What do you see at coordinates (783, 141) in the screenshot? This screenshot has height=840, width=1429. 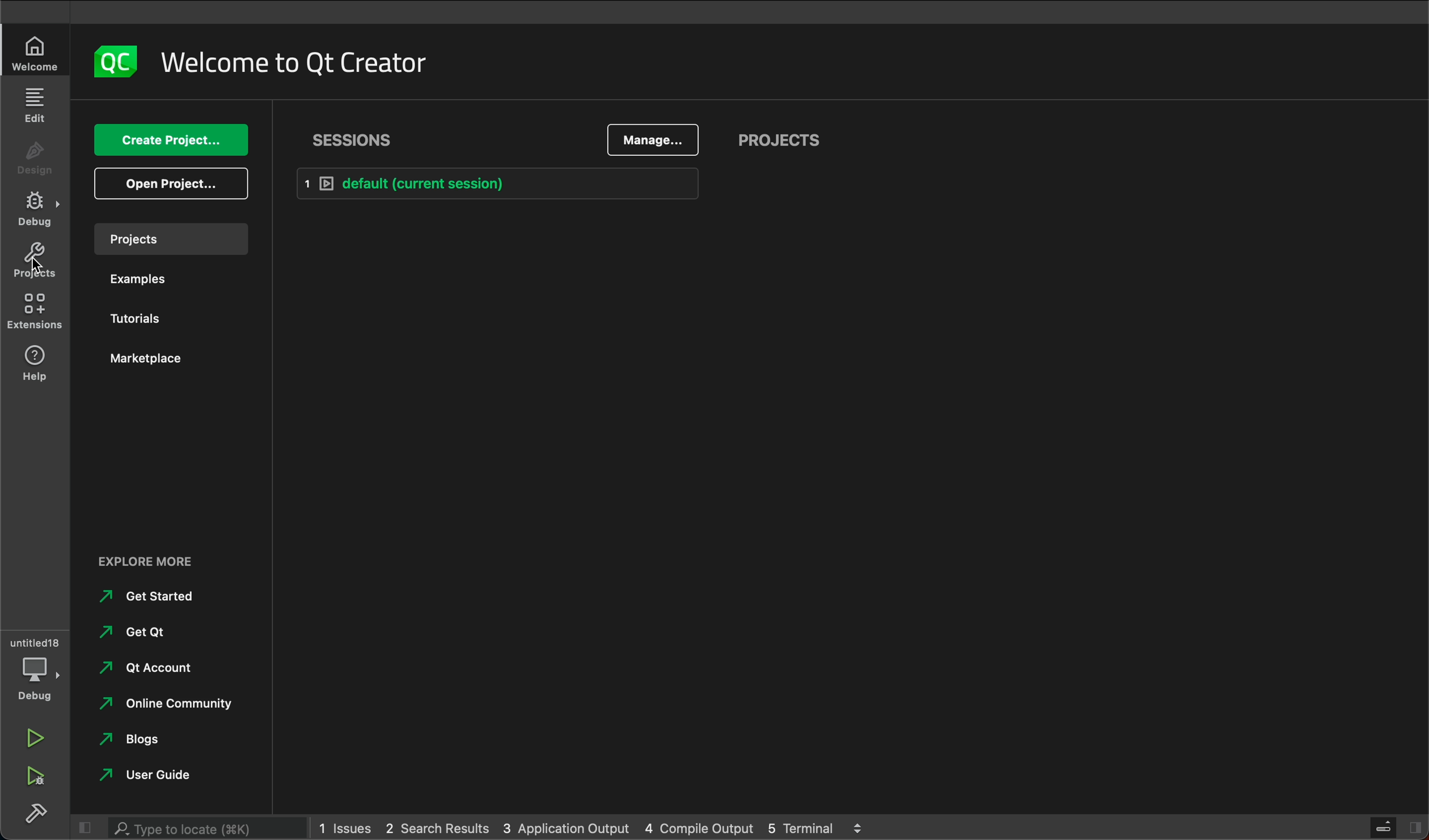 I see `projects` at bounding box center [783, 141].